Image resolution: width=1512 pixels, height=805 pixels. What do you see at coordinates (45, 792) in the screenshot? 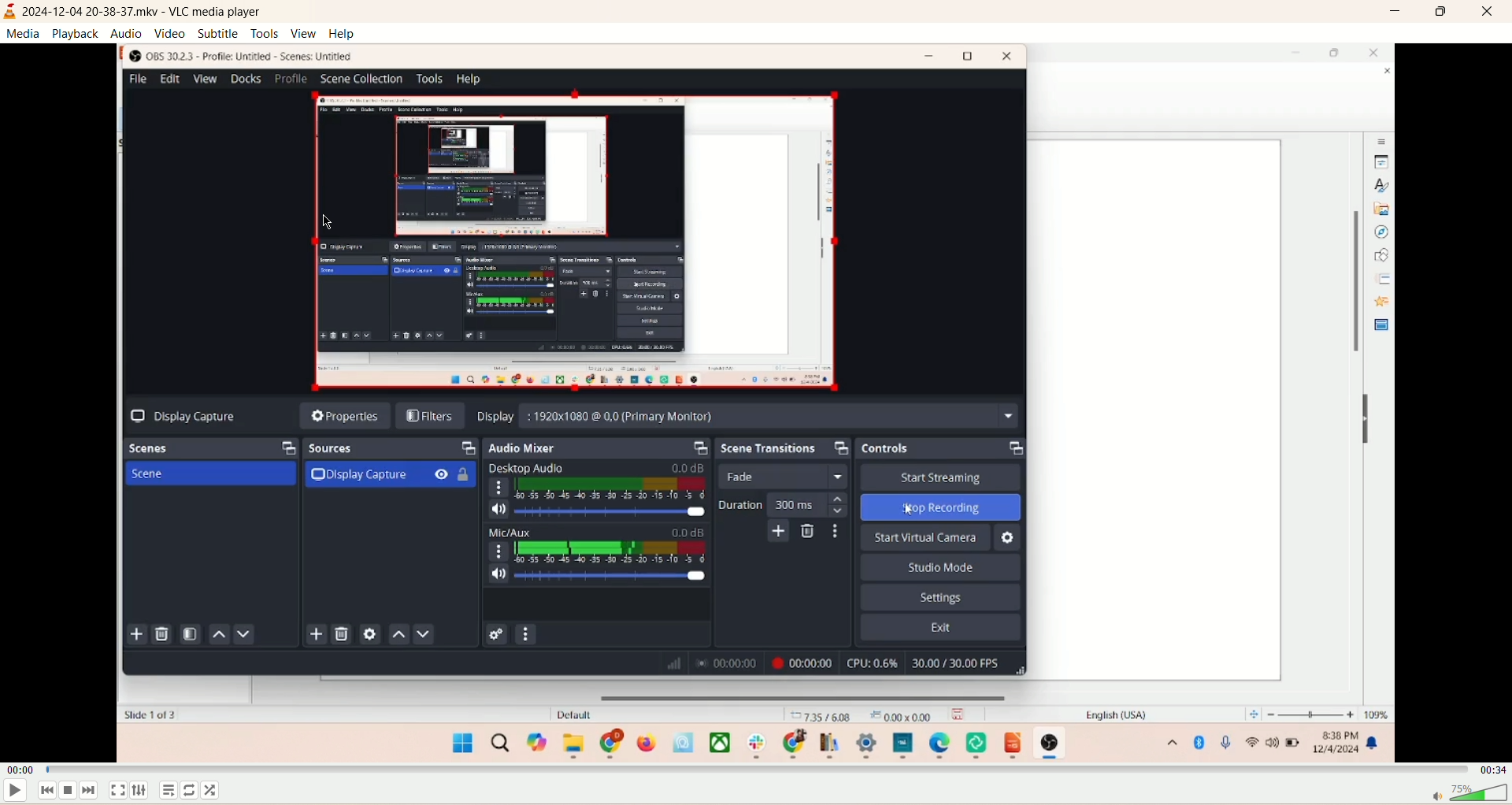
I see `previous` at bounding box center [45, 792].